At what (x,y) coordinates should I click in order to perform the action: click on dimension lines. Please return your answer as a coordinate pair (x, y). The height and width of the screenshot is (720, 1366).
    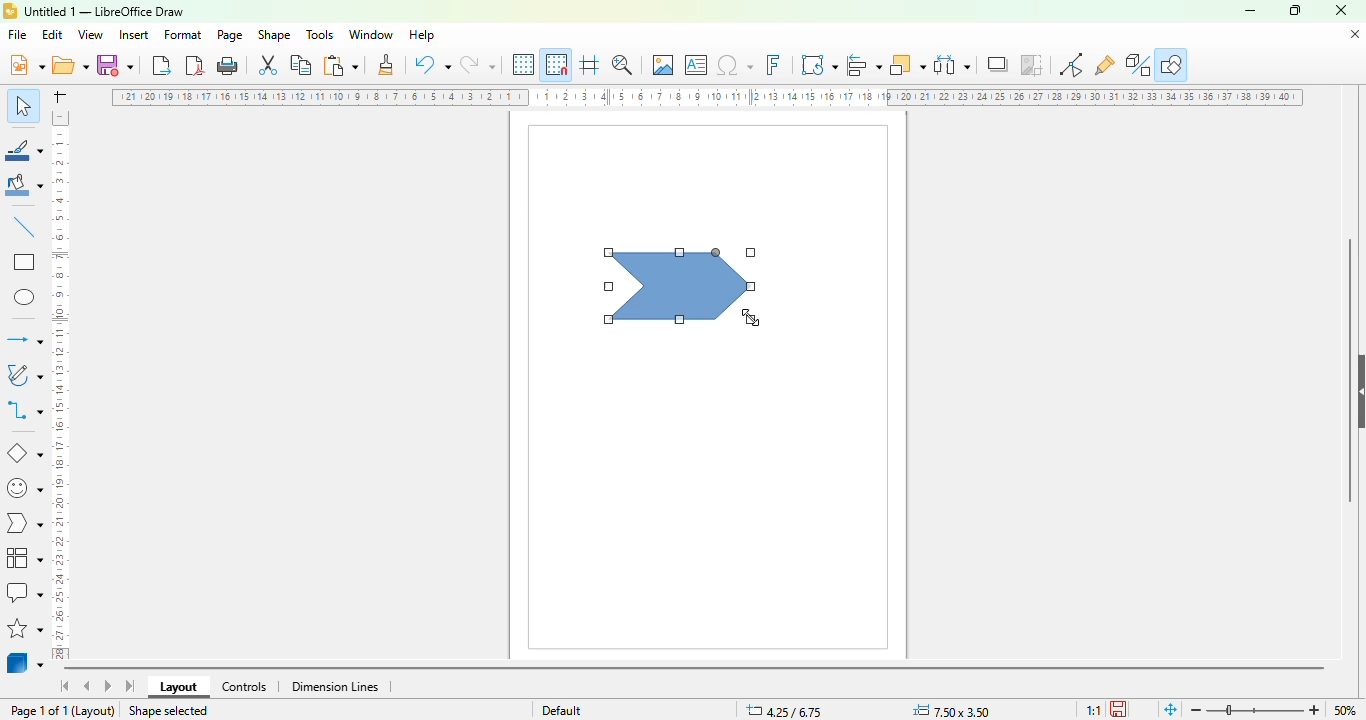
    Looking at the image, I should click on (334, 687).